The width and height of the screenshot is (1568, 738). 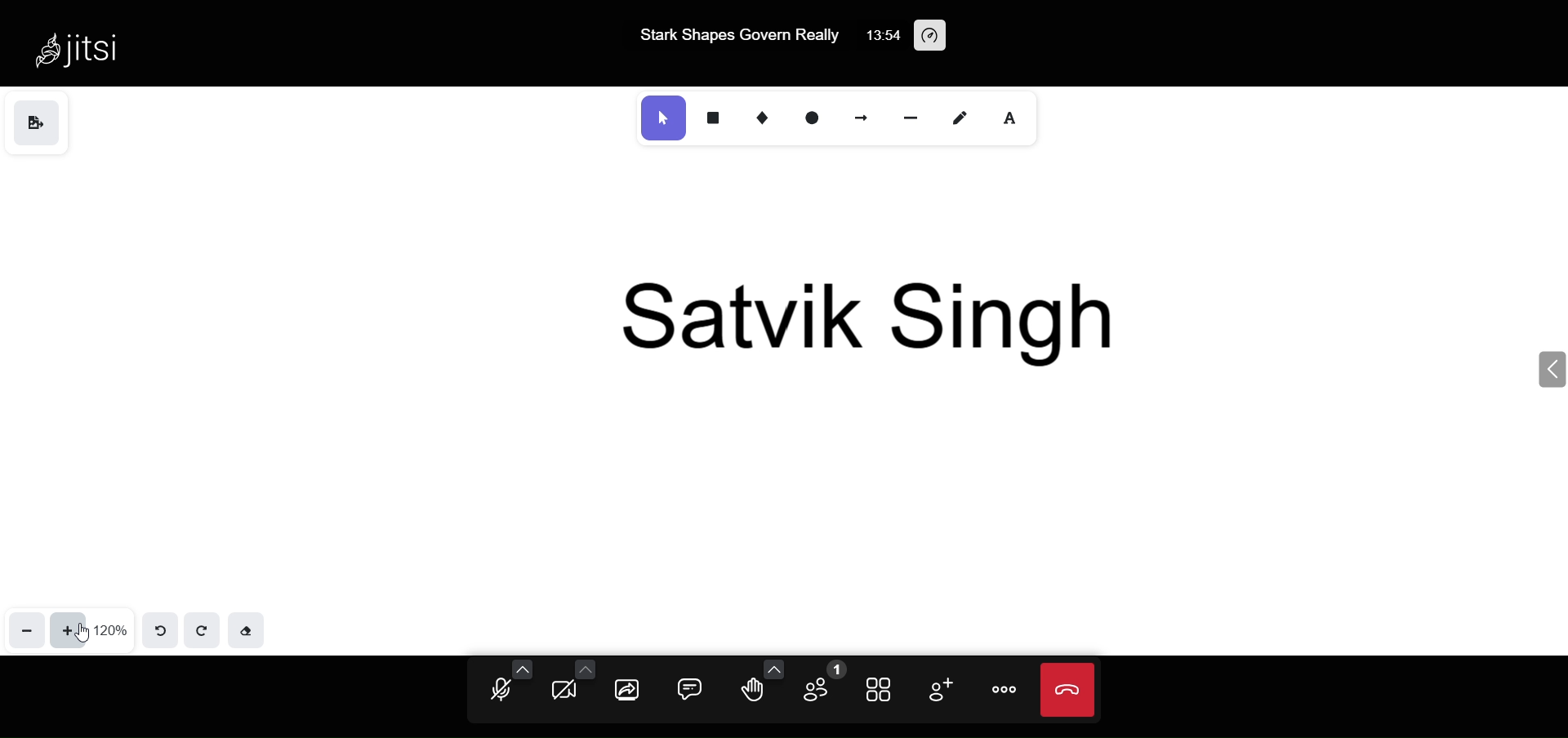 I want to click on draw, so click(x=960, y=115).